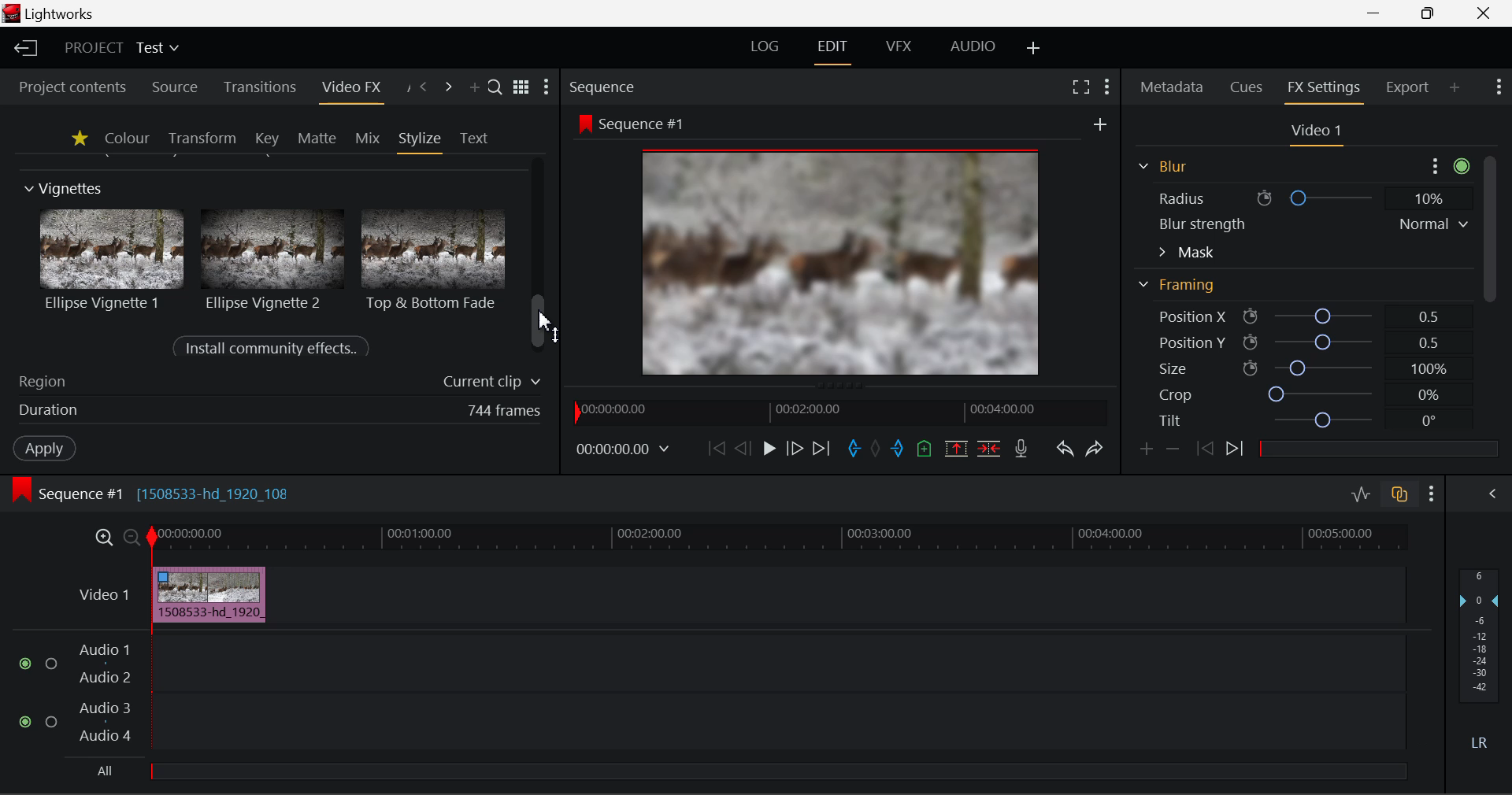 The image size is (1512, 795). I want to click on Apply, so click(44, 450).